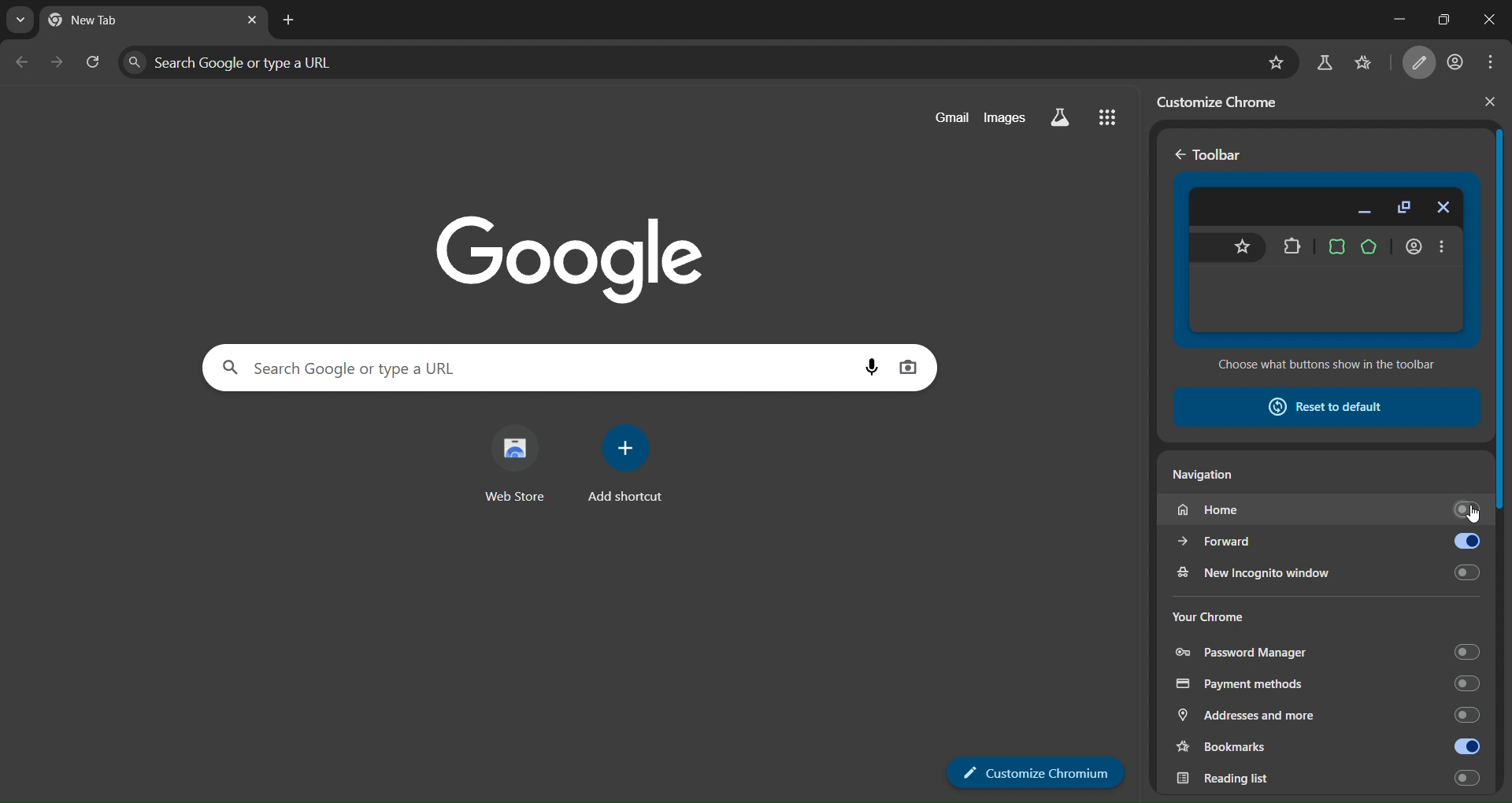 The width and height of the screenshot is (1512, 803). What do you see at coordinates (480, 367) in the screenshot?
I see `search panel` at bounding box center [480, 367].